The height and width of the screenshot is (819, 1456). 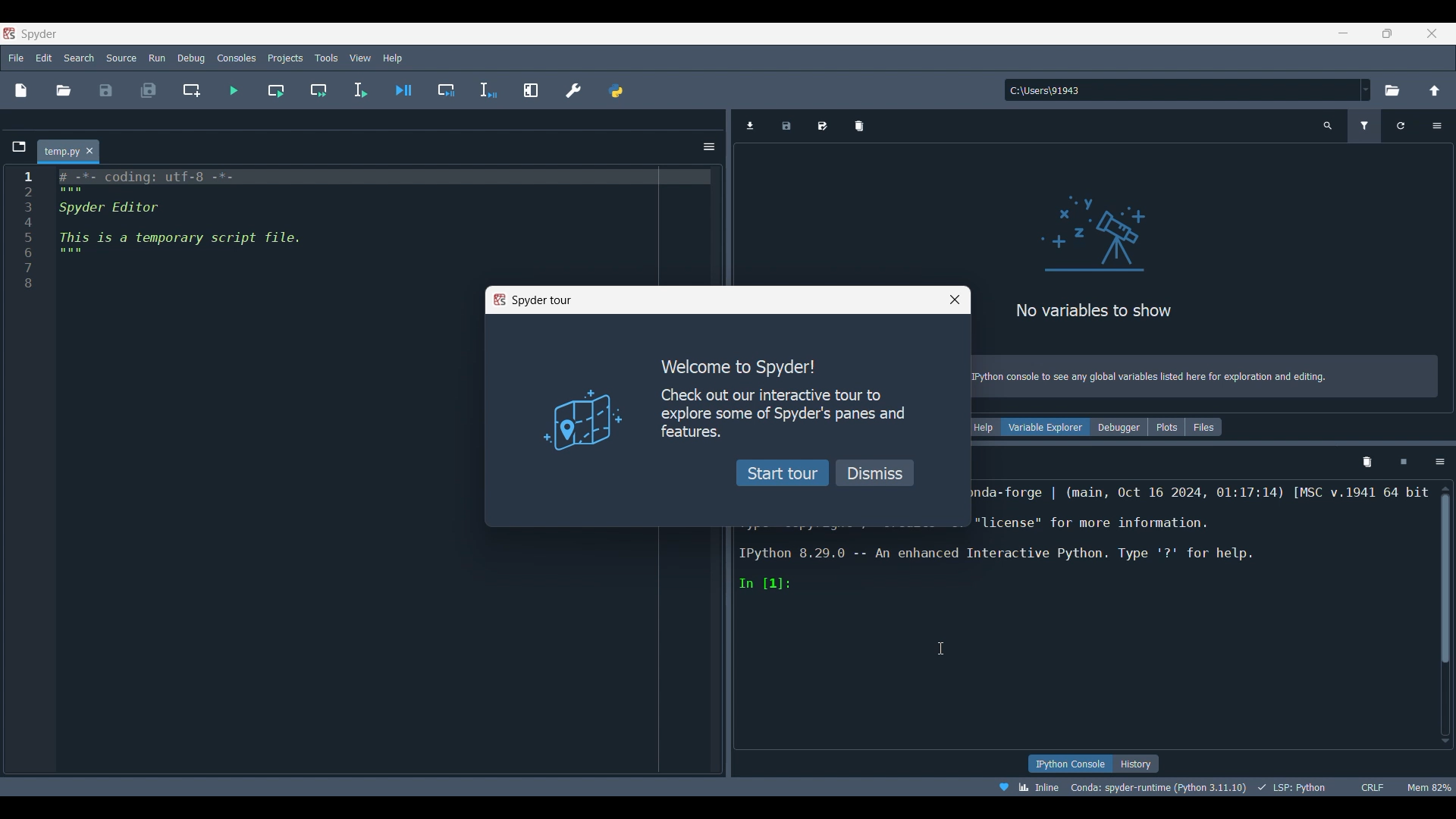 I want to click on New file, so click(x=22, y=90).